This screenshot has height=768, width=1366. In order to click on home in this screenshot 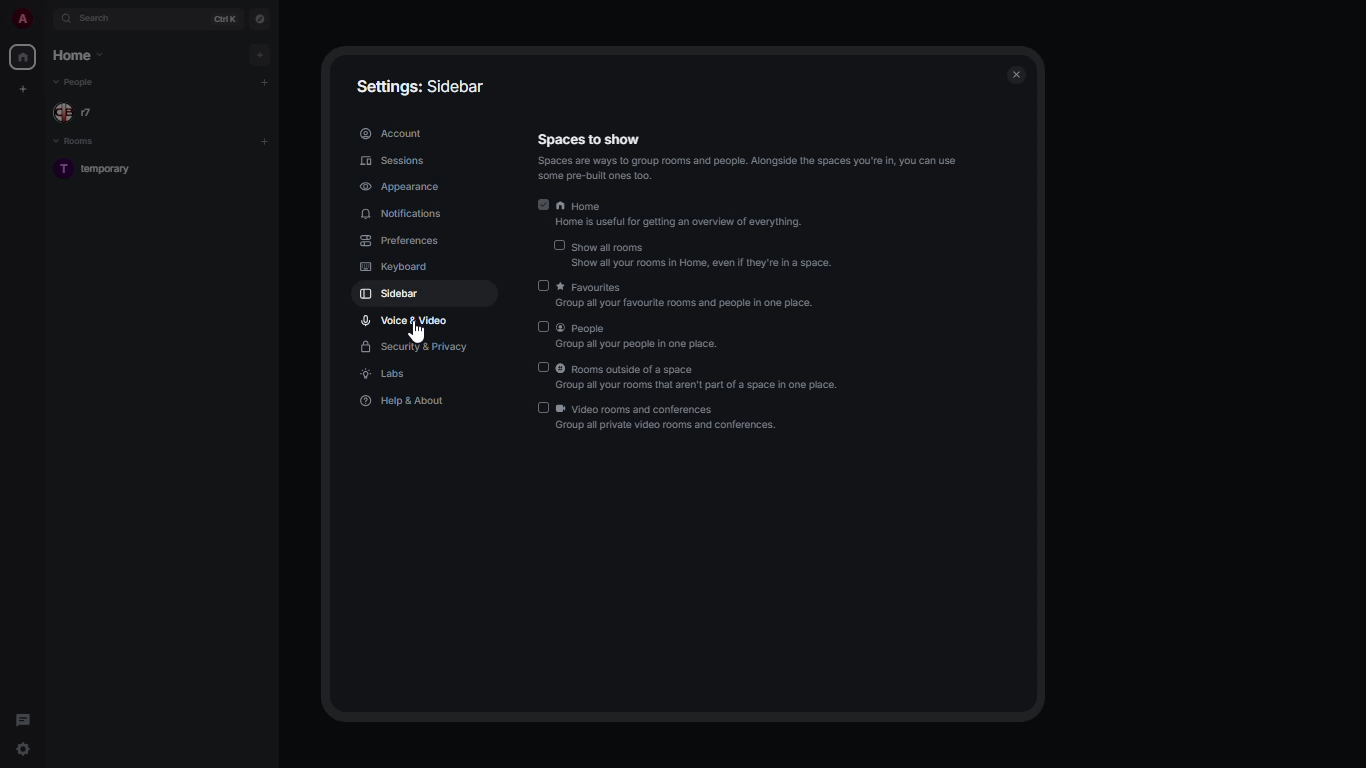, I will do `click(685, 213)`.